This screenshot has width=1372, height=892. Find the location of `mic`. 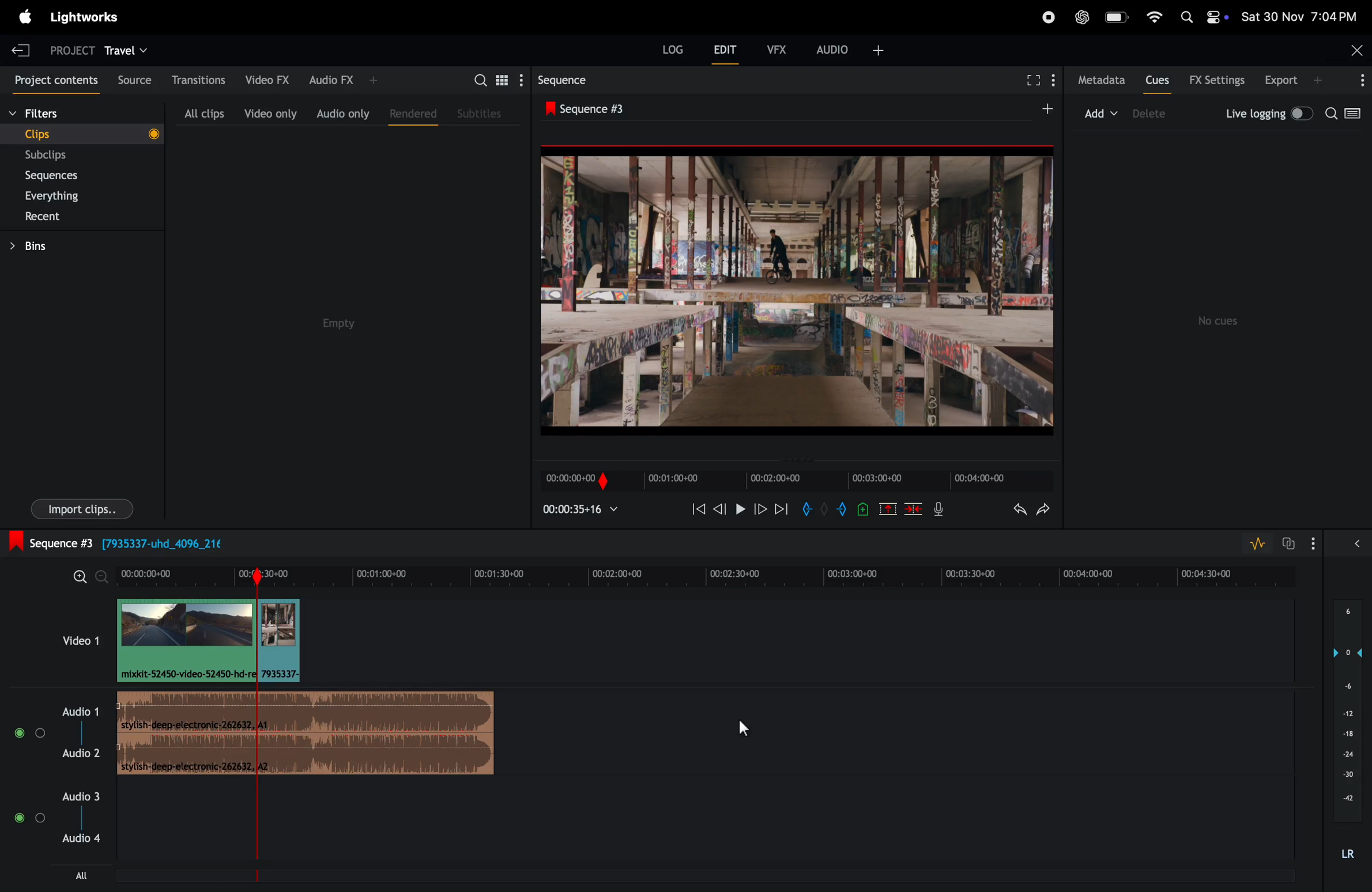

mic is located at coordinates (937, 511).